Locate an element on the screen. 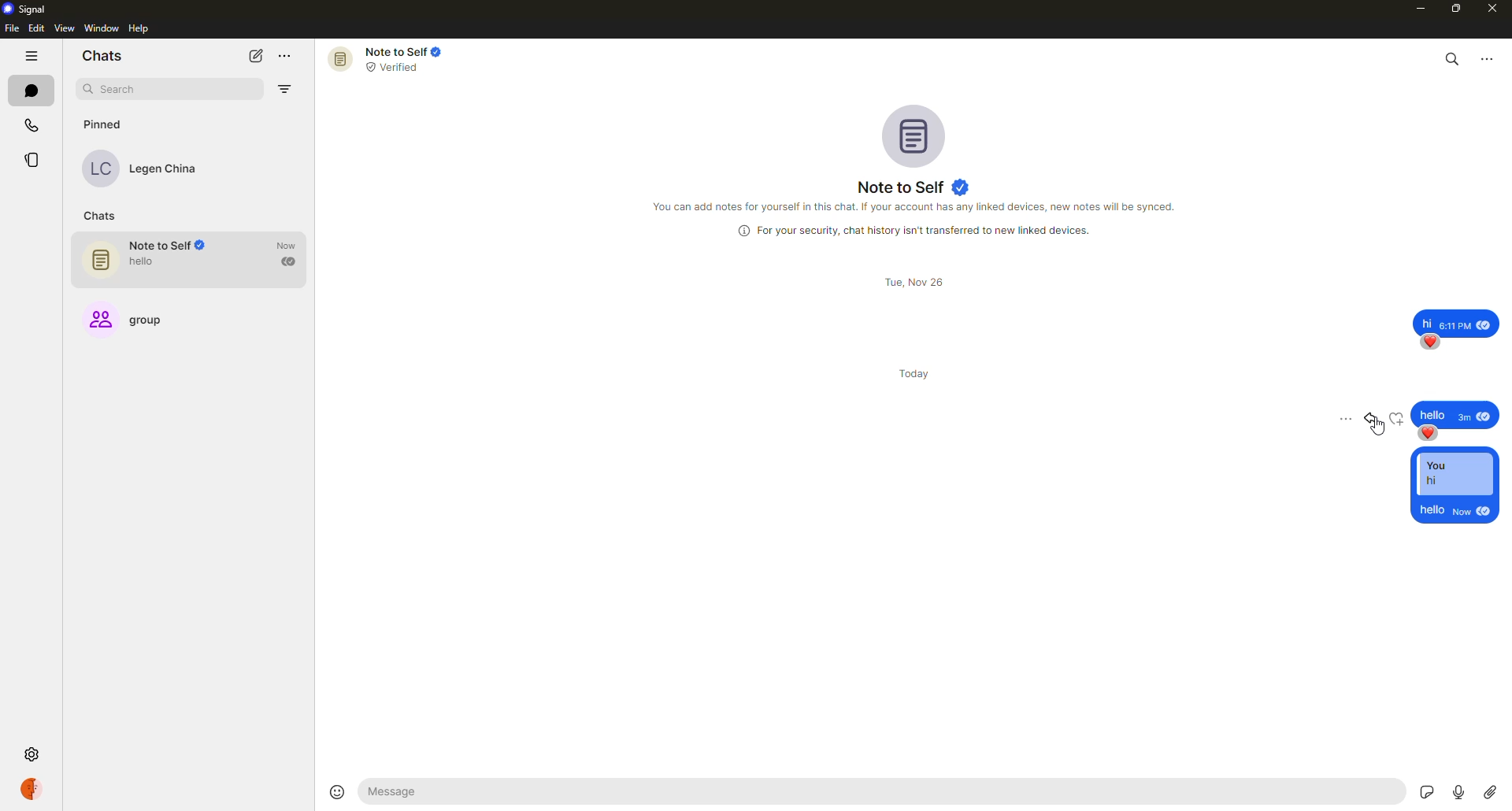 The image size is (1512, 811). note to self is located at coordinates (196, 261).